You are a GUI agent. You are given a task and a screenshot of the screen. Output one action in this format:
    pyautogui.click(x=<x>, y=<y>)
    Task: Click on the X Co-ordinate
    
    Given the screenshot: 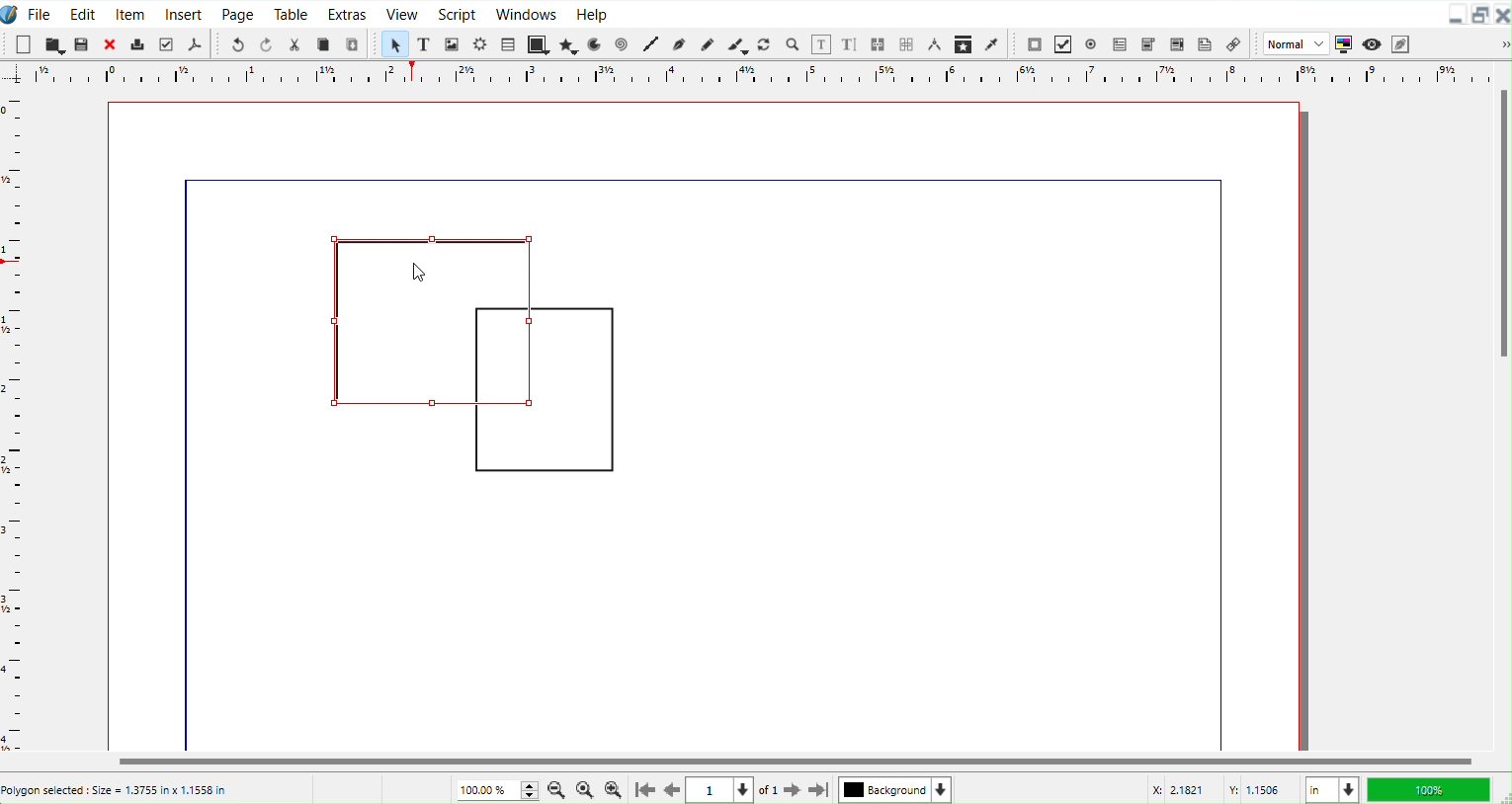 What is the action you would take?
    pyautogui.click(x=1178, y=790)
    